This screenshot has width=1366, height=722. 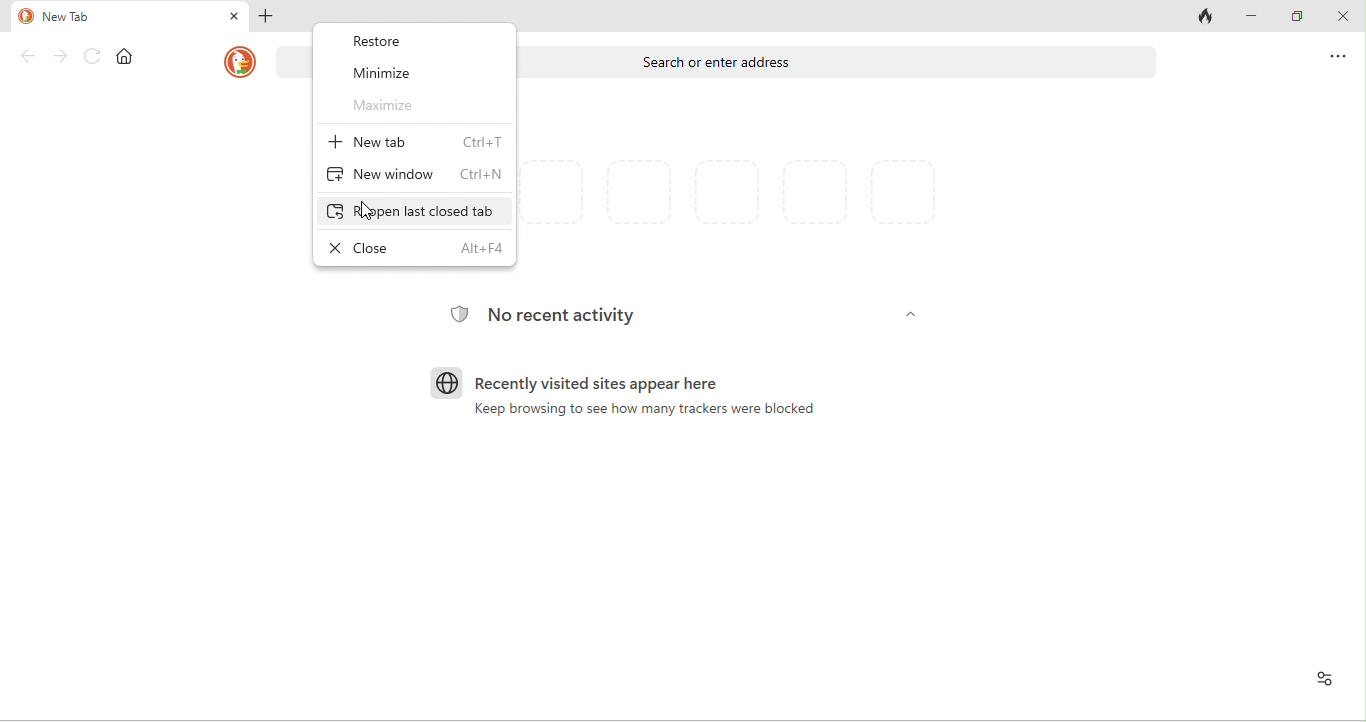 What do you see at coordinates (905, 315) in the screenshot?
I see `dropdown` at bounding box center [905, 315].